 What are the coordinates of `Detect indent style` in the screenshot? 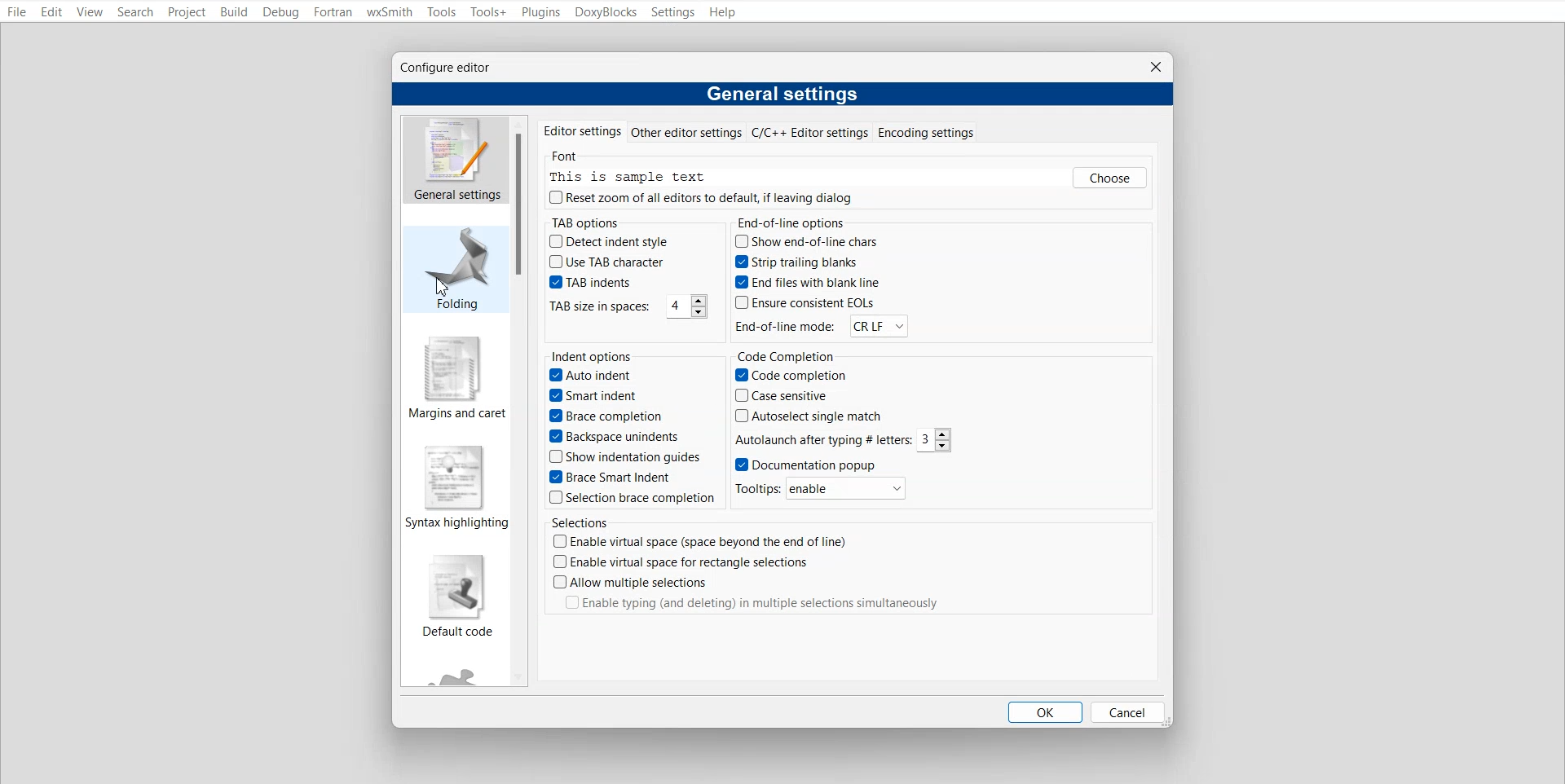 It's located at (611, 240).